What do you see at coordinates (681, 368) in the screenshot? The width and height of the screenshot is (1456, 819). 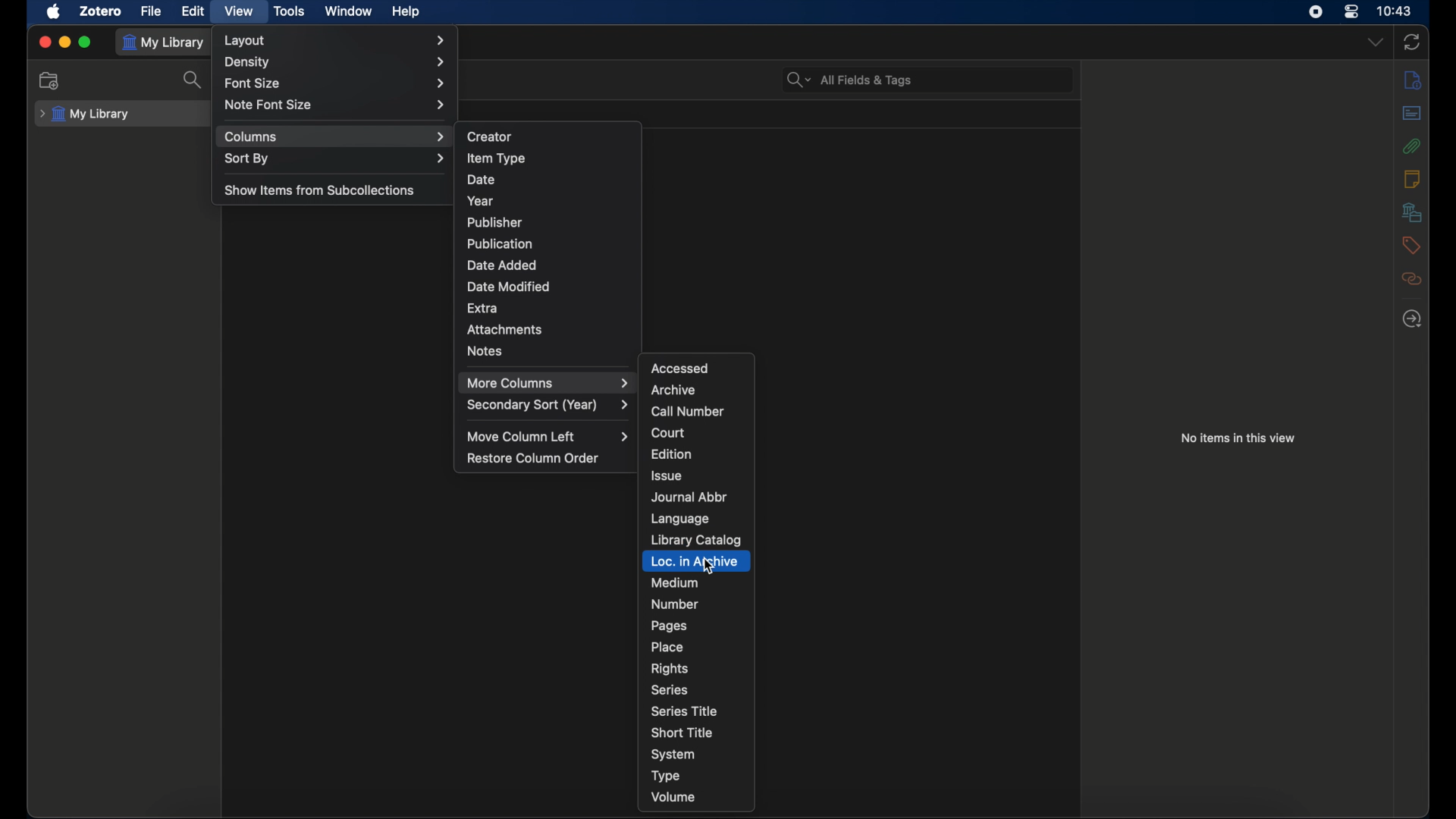 I see `accessed` at bounding box center [681, 368].